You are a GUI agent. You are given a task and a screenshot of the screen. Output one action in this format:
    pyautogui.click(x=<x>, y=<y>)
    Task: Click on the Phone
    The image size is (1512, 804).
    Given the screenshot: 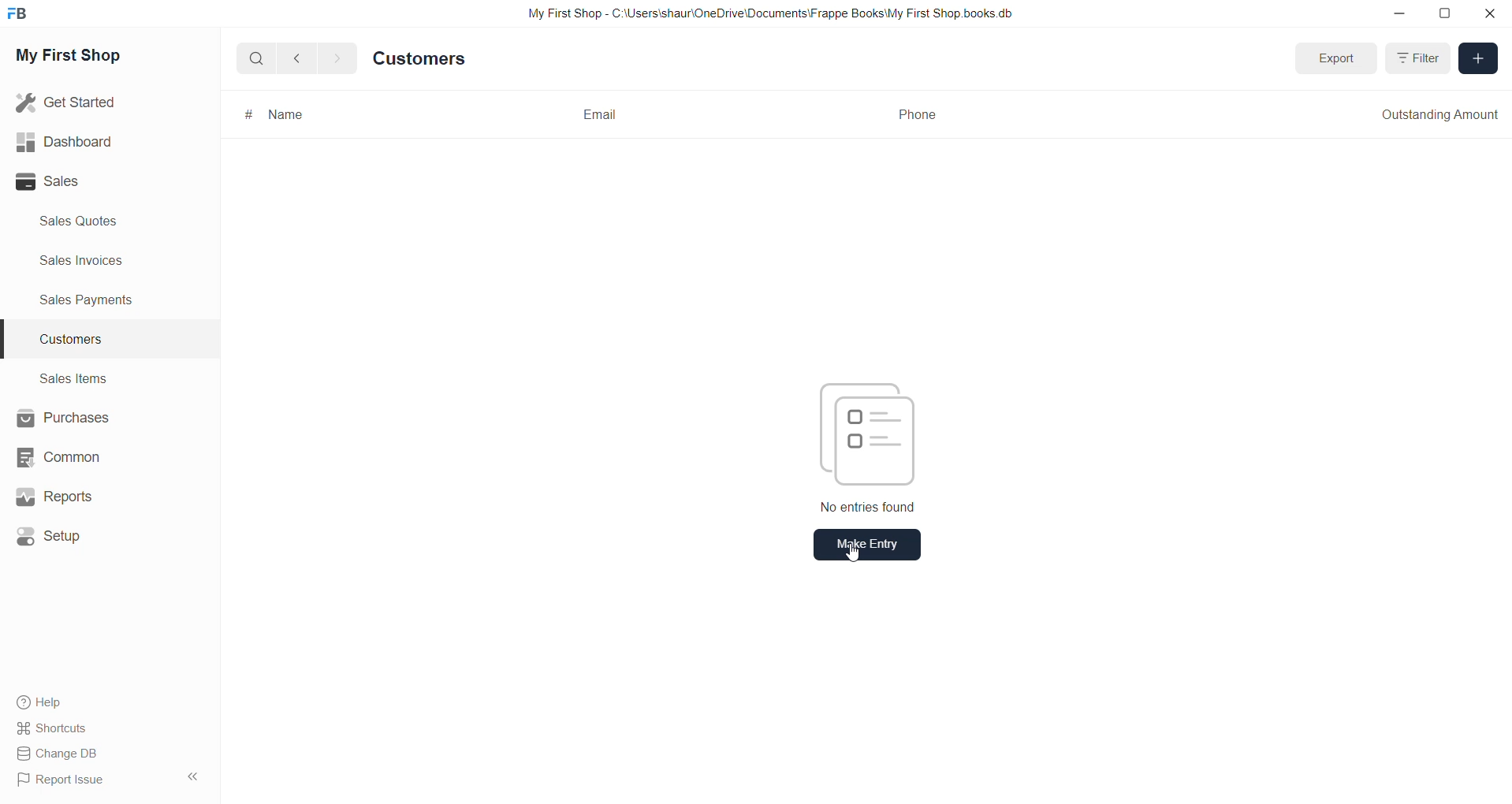 What is the action you would take?
    pyautogui.click(x=915, y=115)
    